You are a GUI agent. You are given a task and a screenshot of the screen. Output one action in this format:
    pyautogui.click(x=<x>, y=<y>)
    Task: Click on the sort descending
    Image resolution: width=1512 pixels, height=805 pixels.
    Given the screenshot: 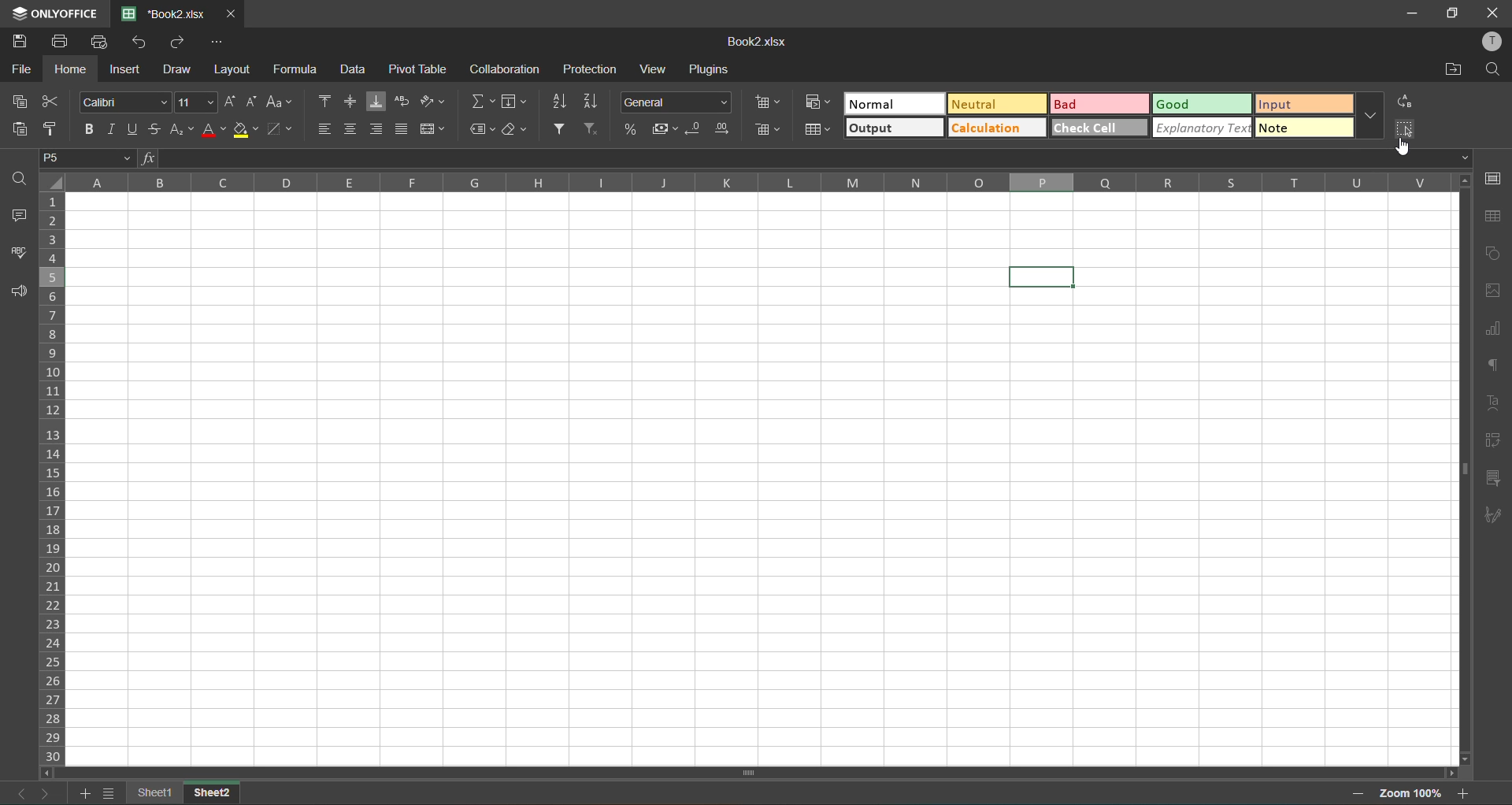 What is the action you would take?
    pyautogui.click(x=597, y=103)
    